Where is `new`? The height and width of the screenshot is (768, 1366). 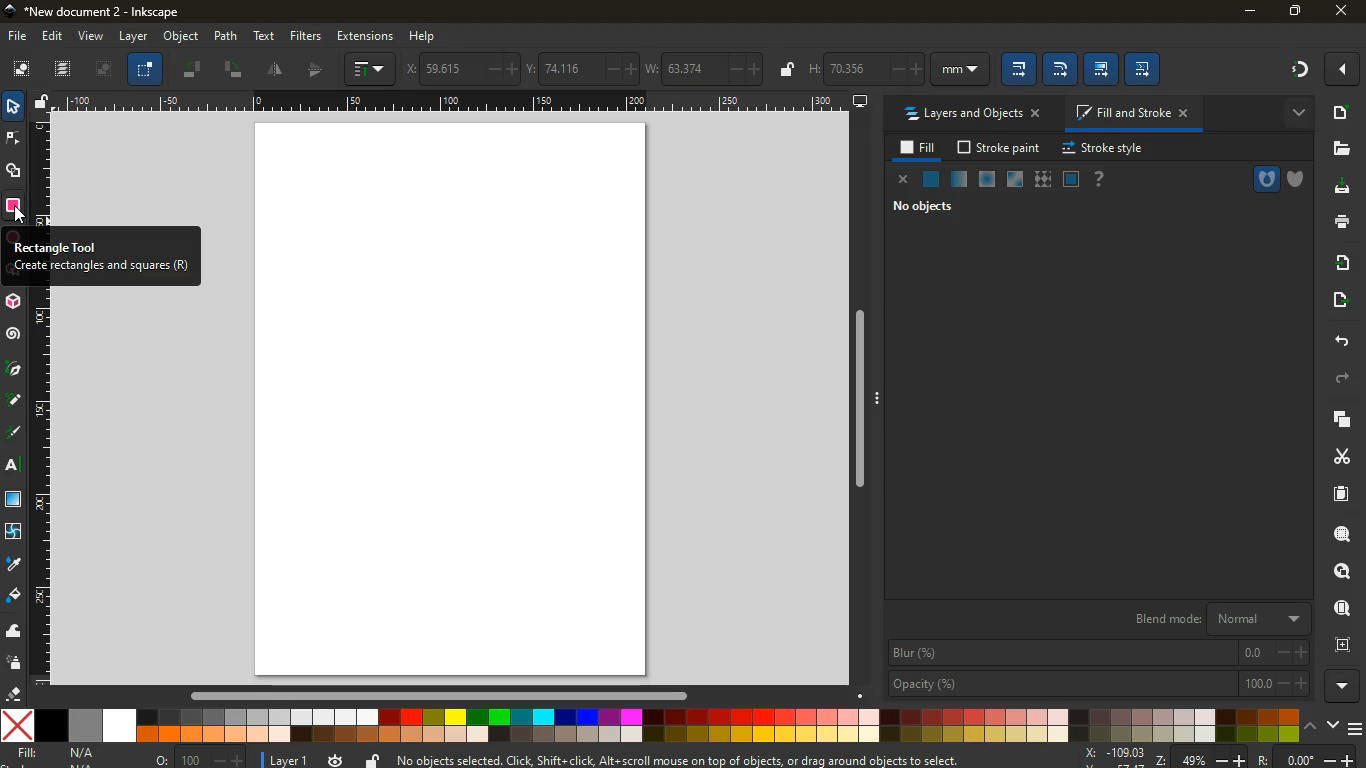 new is located at coordinates (1345, 114).